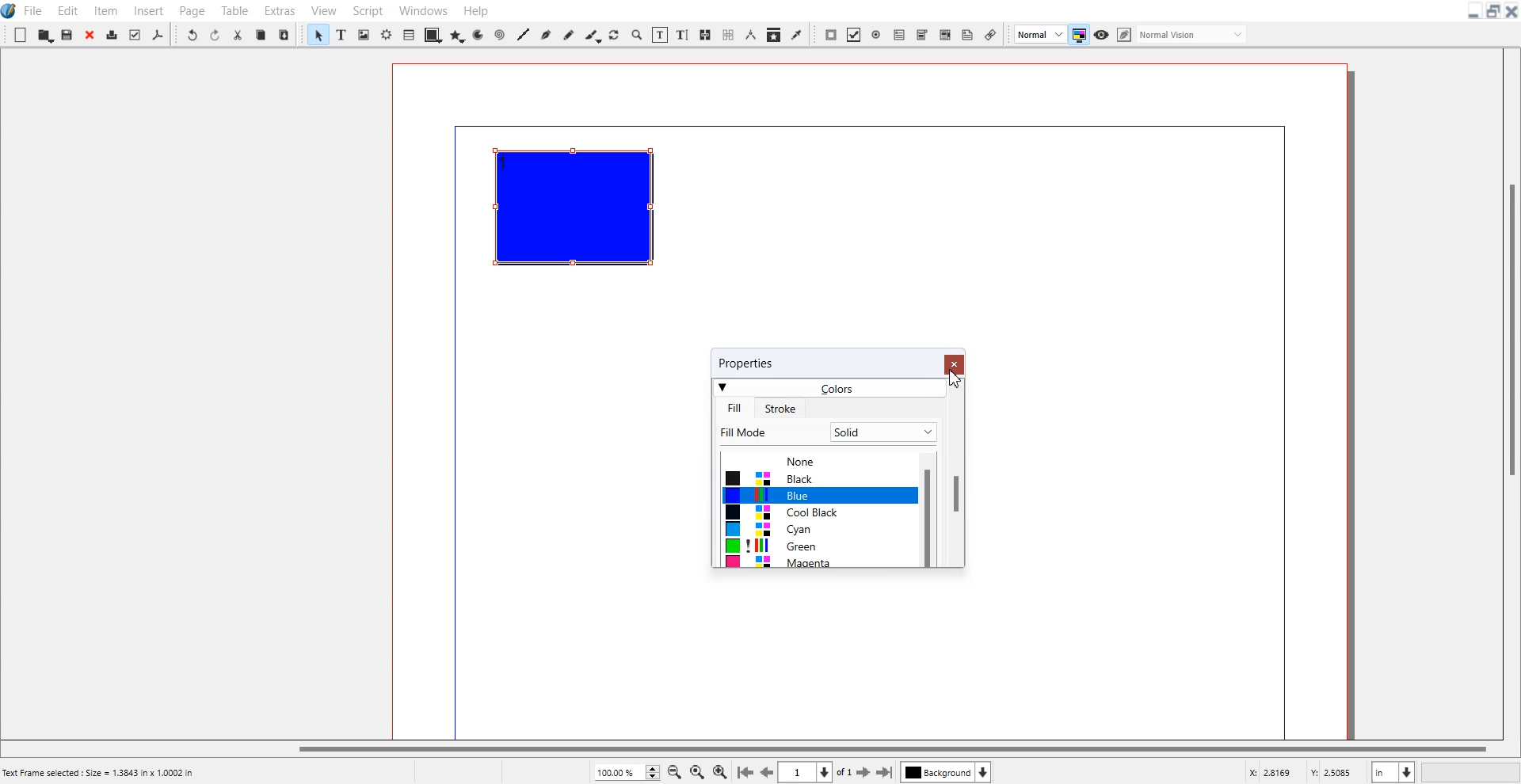  Describe the element at coordinates (318, 34) in the screenshot. I see `Select Item` at that location.